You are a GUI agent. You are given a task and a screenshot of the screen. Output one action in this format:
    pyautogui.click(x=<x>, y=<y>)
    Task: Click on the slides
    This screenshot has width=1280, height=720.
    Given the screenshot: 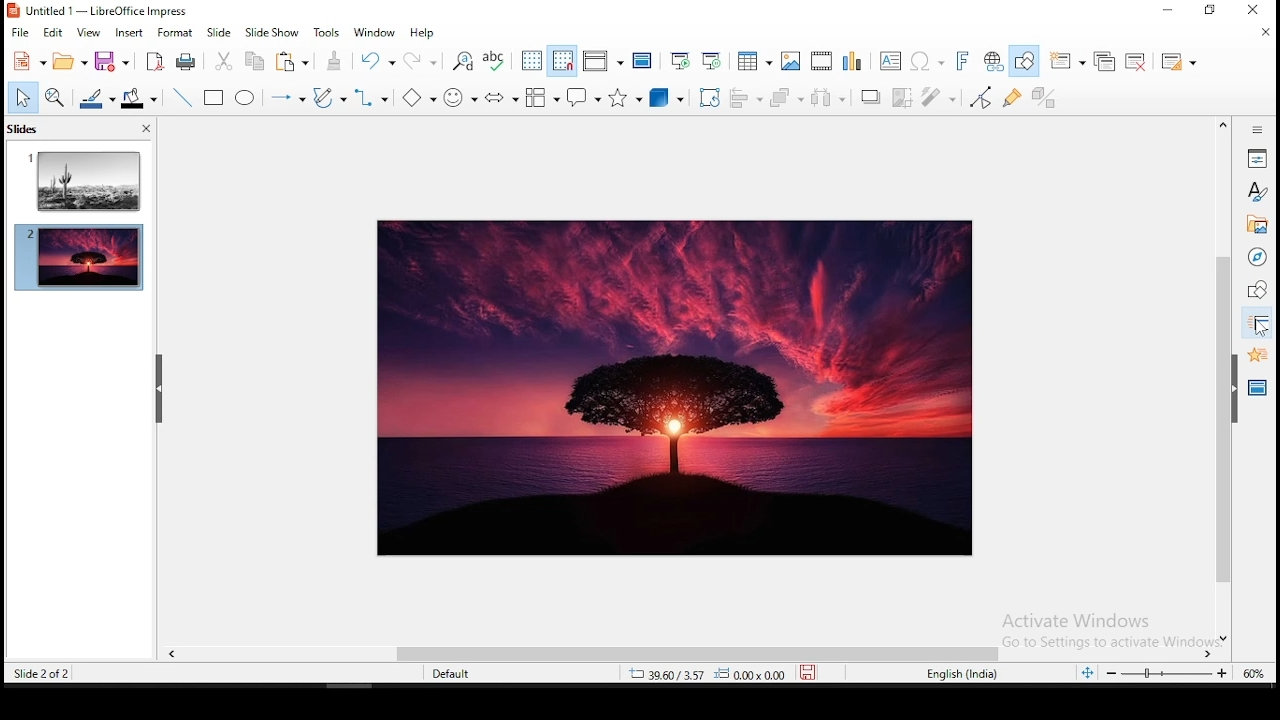 What is the action you would take?
    pyautogui.click(x=26, y=128)
    